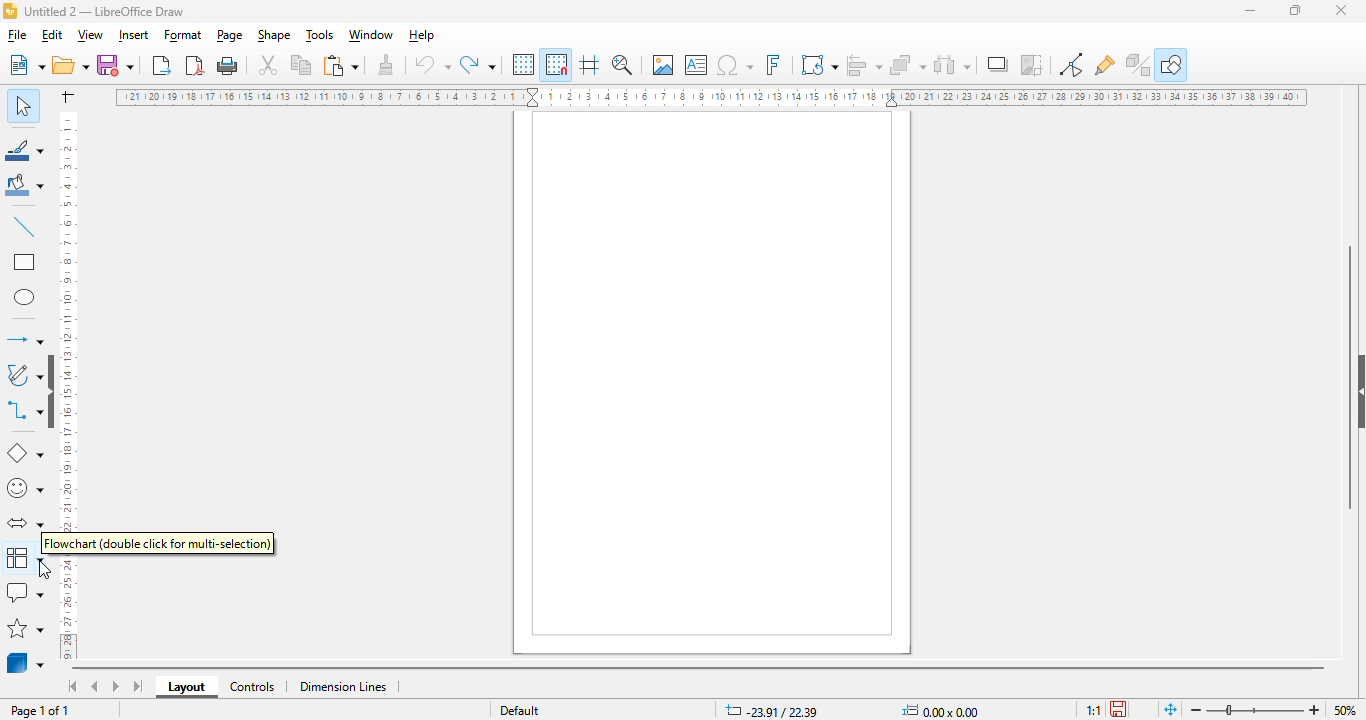 The height and width of the screenshot is (720, 1366). I want to click on flowchart, so click(25, 557).